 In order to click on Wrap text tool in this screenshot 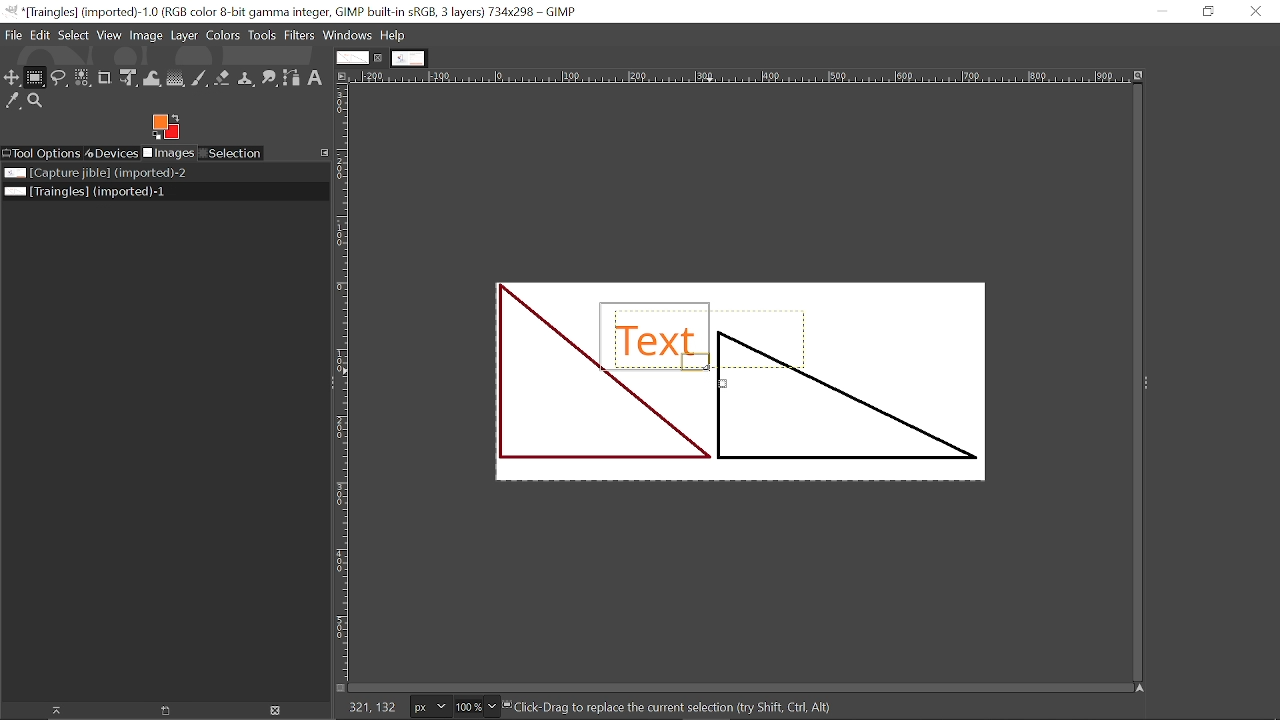, I will do `click(152, 78)`.